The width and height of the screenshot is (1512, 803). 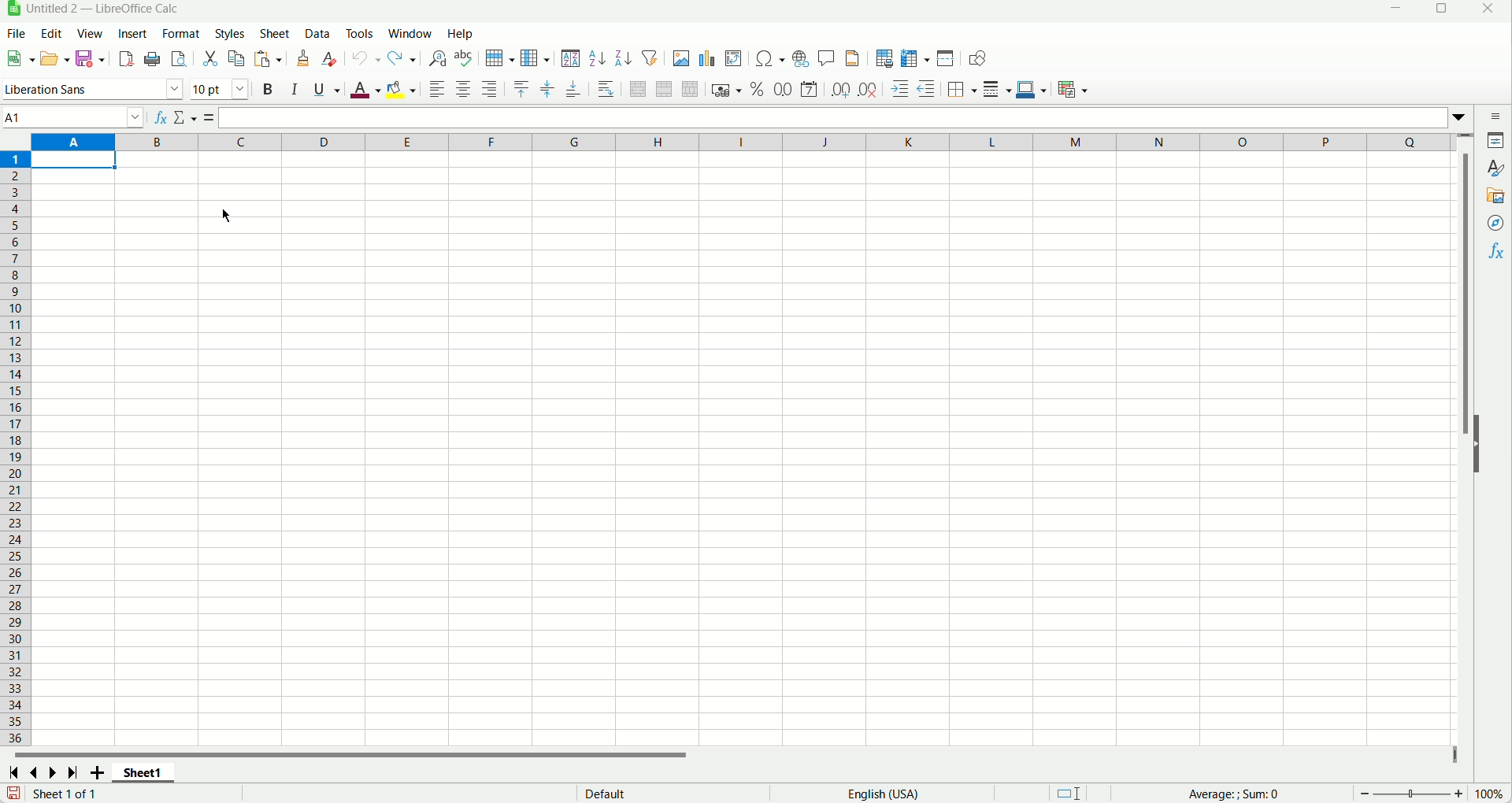 What do you see at coordinates (758, 90) in the screenshot?
I see `Format as percent` at bounding box center [758, 90].